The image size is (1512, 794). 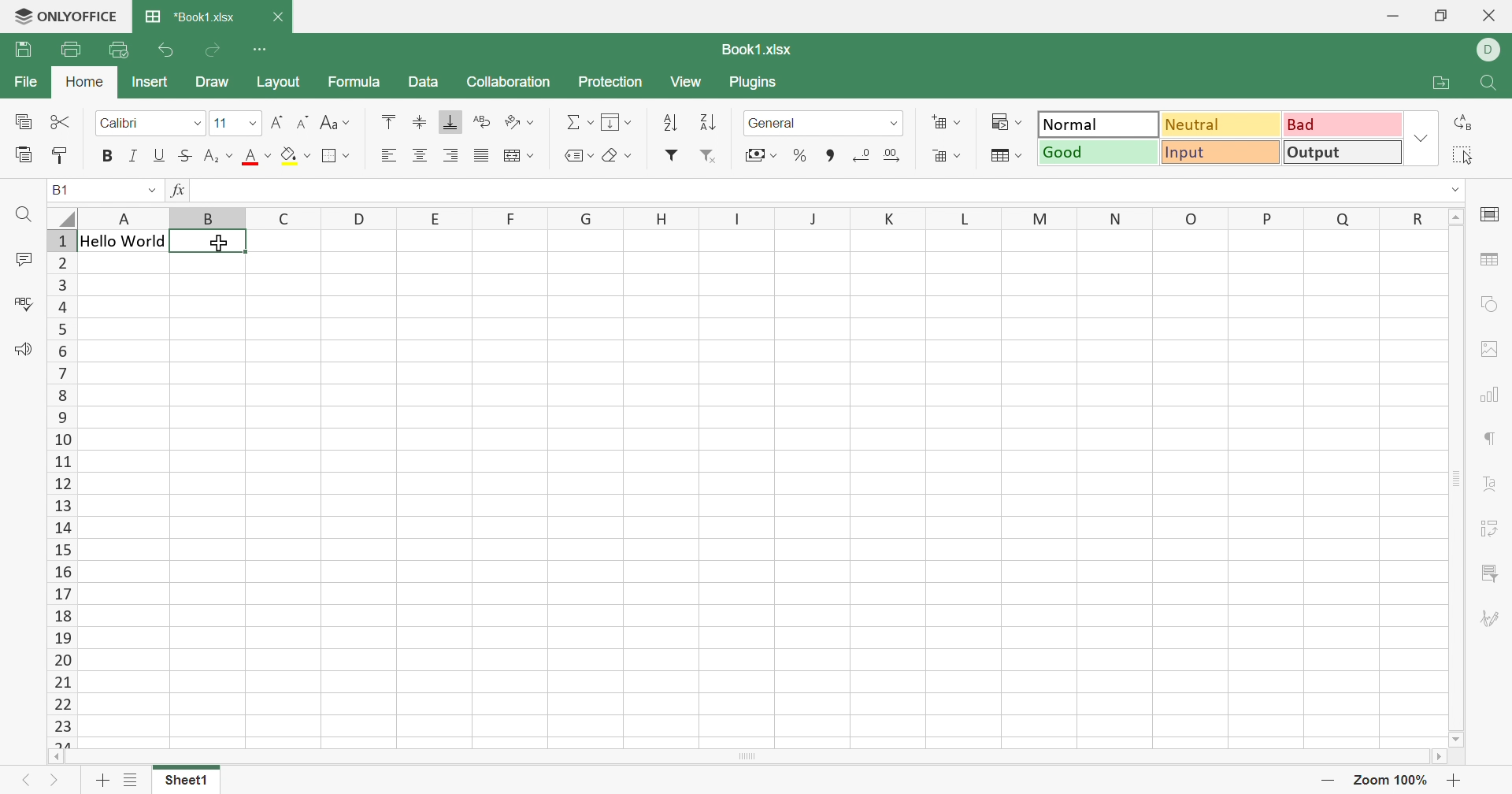 What do you see at coordinates (1487, 618) in the screenshot?
I see `Signature settings` at bounding box center [1487, 618].